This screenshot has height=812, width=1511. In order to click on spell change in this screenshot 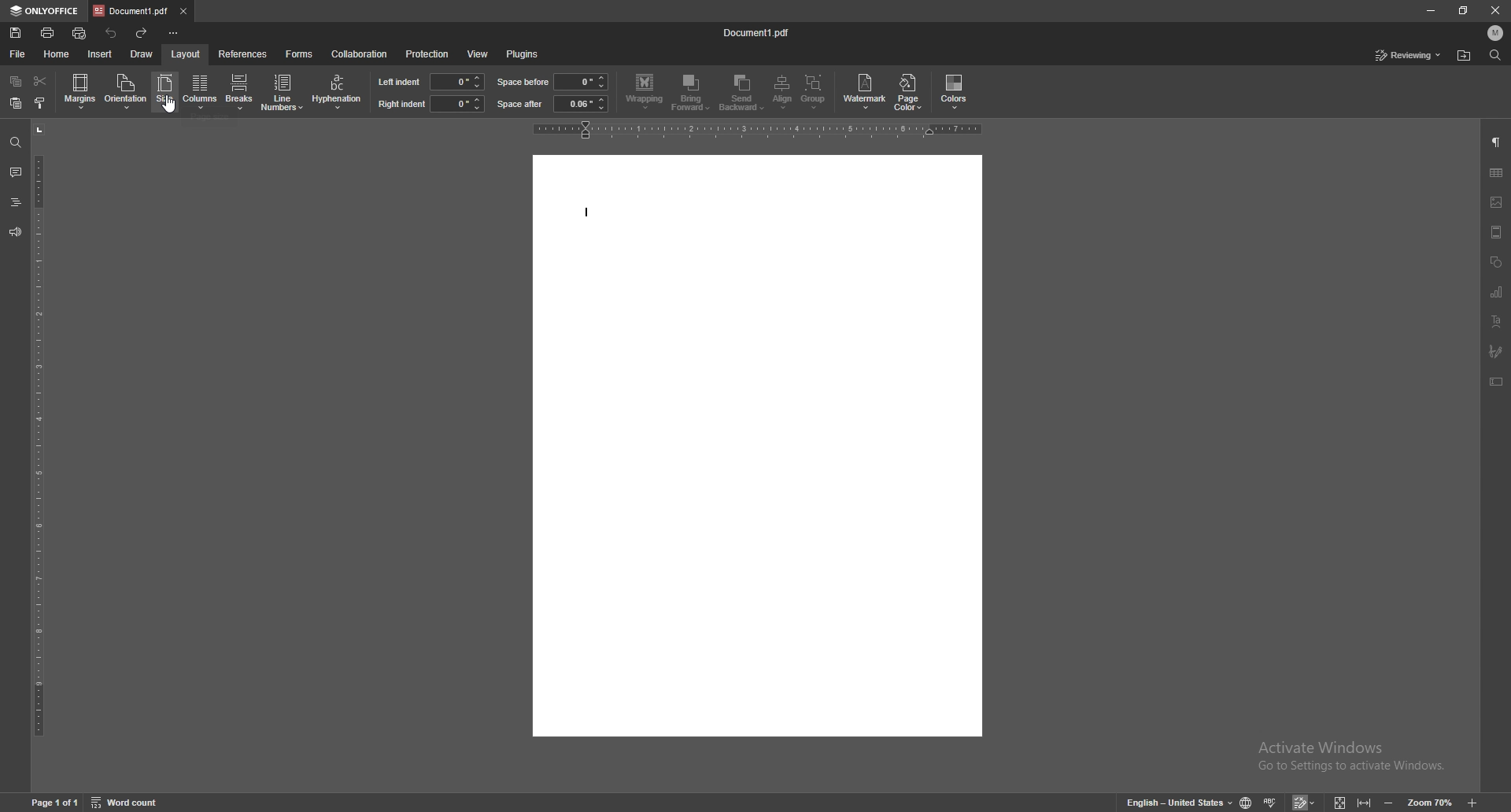, I will do `click(1272, 802)`.